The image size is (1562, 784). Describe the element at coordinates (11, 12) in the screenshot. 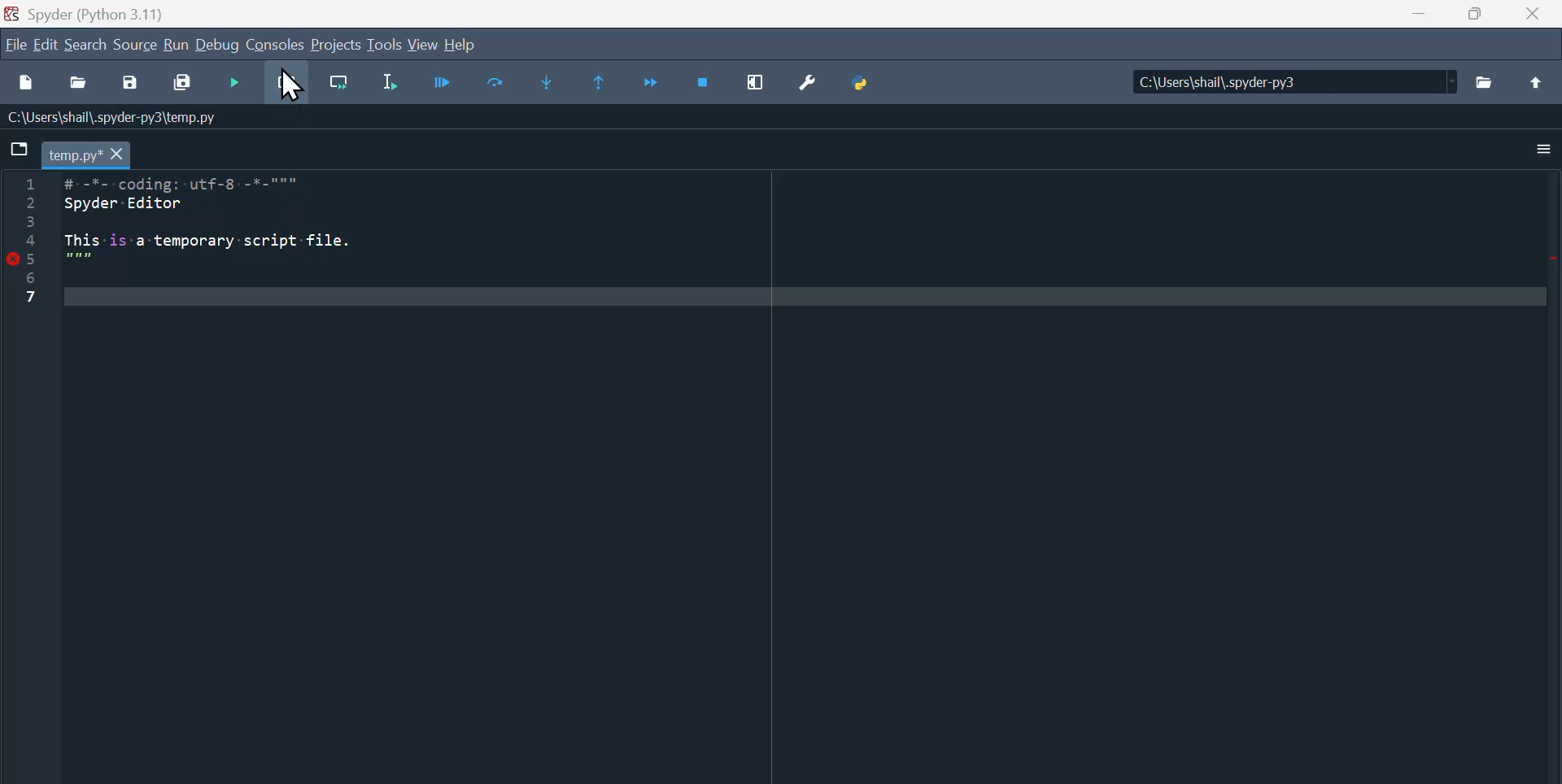

I see `app icon` at that location.